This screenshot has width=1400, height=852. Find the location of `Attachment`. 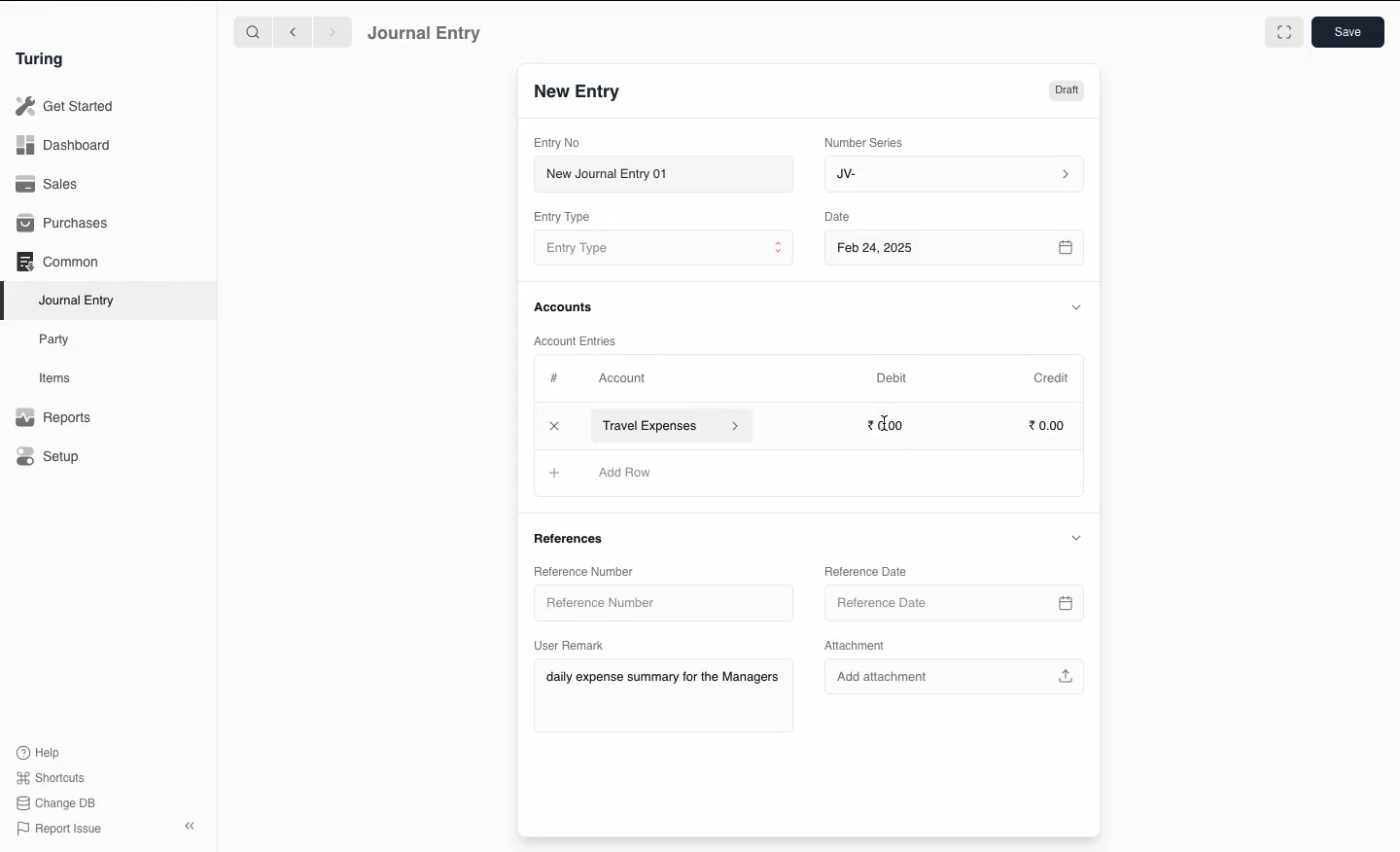

Attachment is located at coordinates (858, 644).